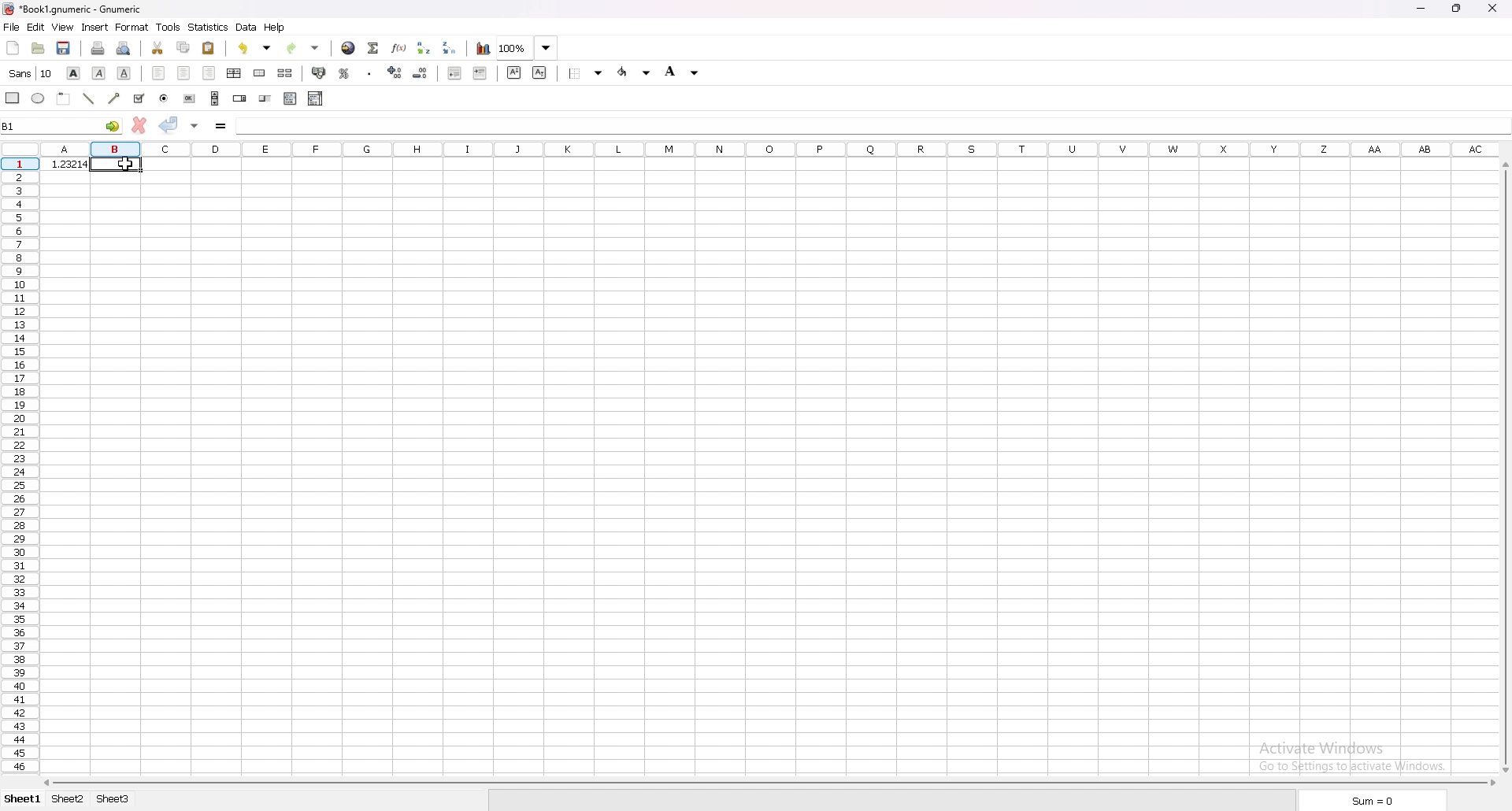 The image size is (1512, 811). I want to click on summation, so click(373, 48).